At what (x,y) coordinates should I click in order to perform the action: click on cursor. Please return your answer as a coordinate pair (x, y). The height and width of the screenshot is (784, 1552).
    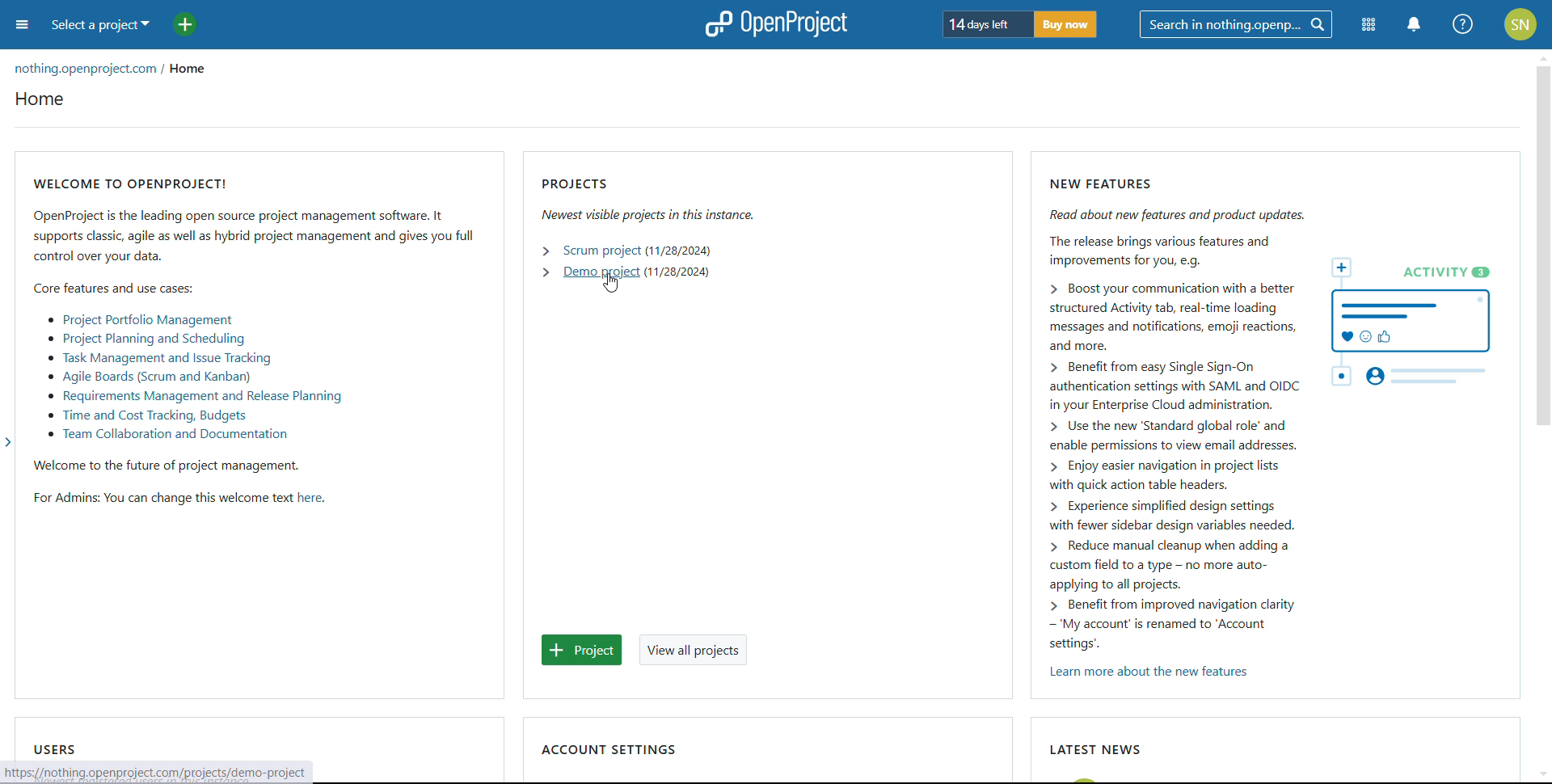
    Looking at the image, I should click on (613, 284).